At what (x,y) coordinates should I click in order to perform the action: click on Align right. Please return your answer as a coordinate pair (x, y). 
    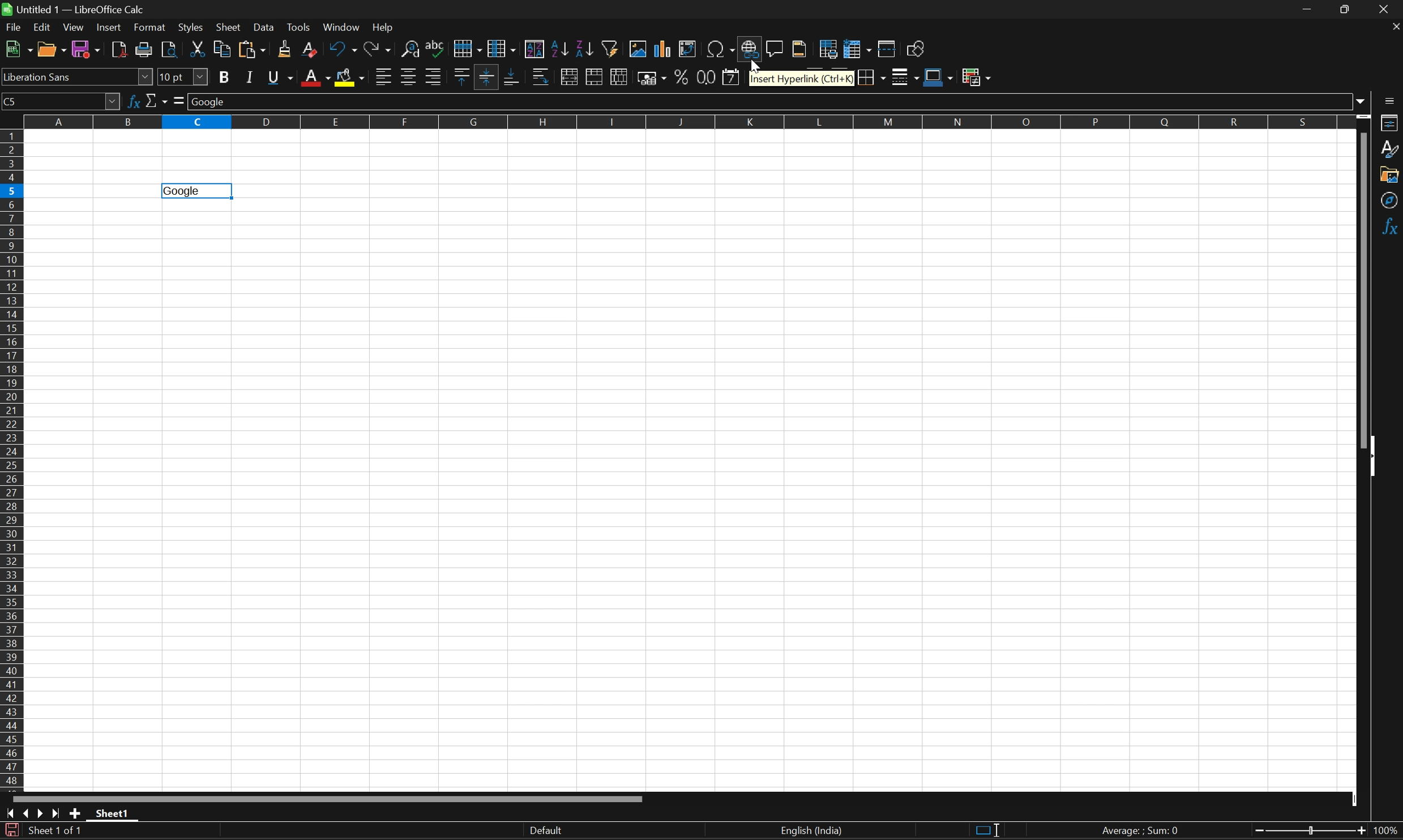
    Looking at the image, I should click on (434, 77).